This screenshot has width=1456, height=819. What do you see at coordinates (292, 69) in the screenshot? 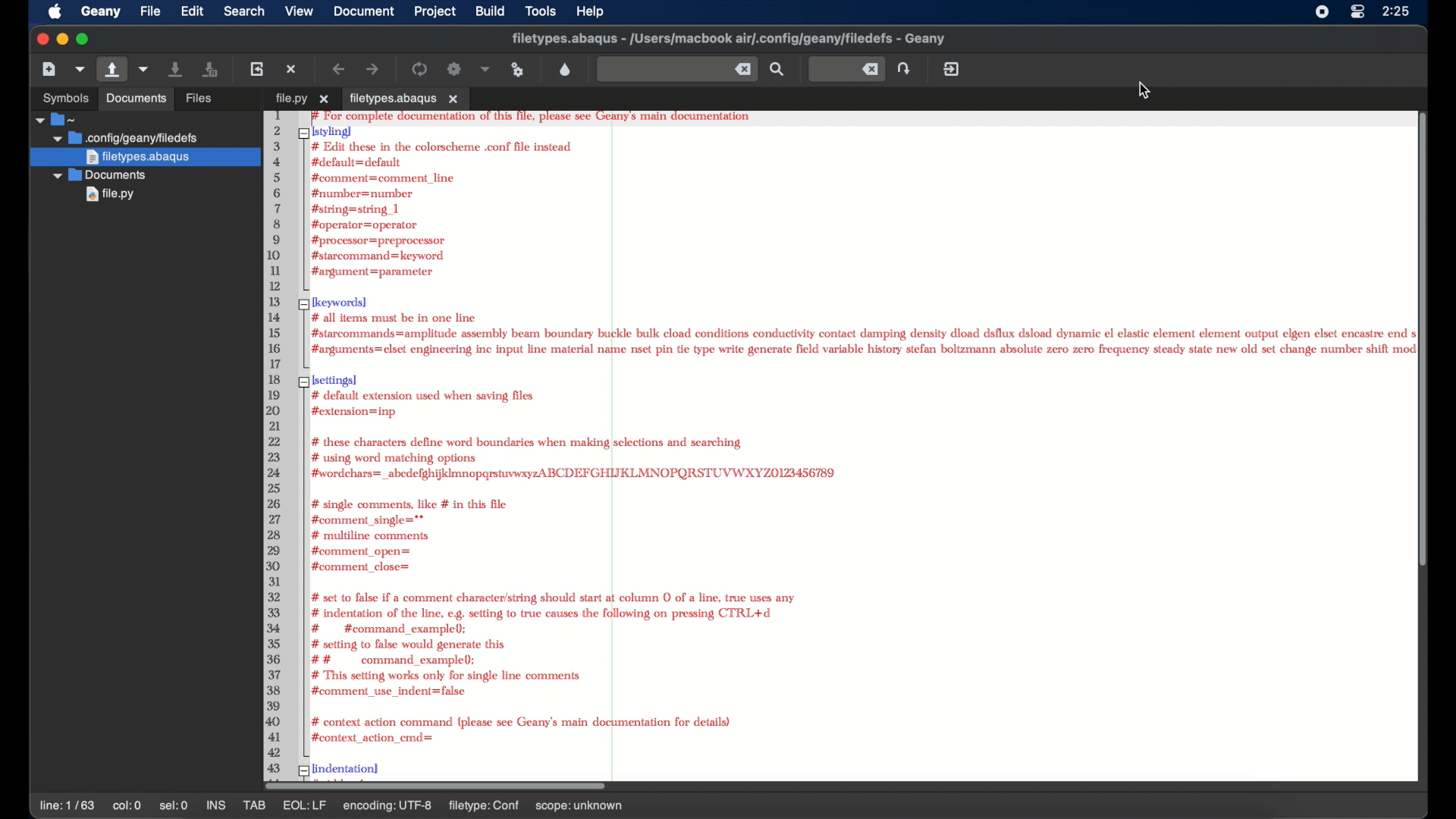
I see `close the current file` at bounding box center [292, 69].